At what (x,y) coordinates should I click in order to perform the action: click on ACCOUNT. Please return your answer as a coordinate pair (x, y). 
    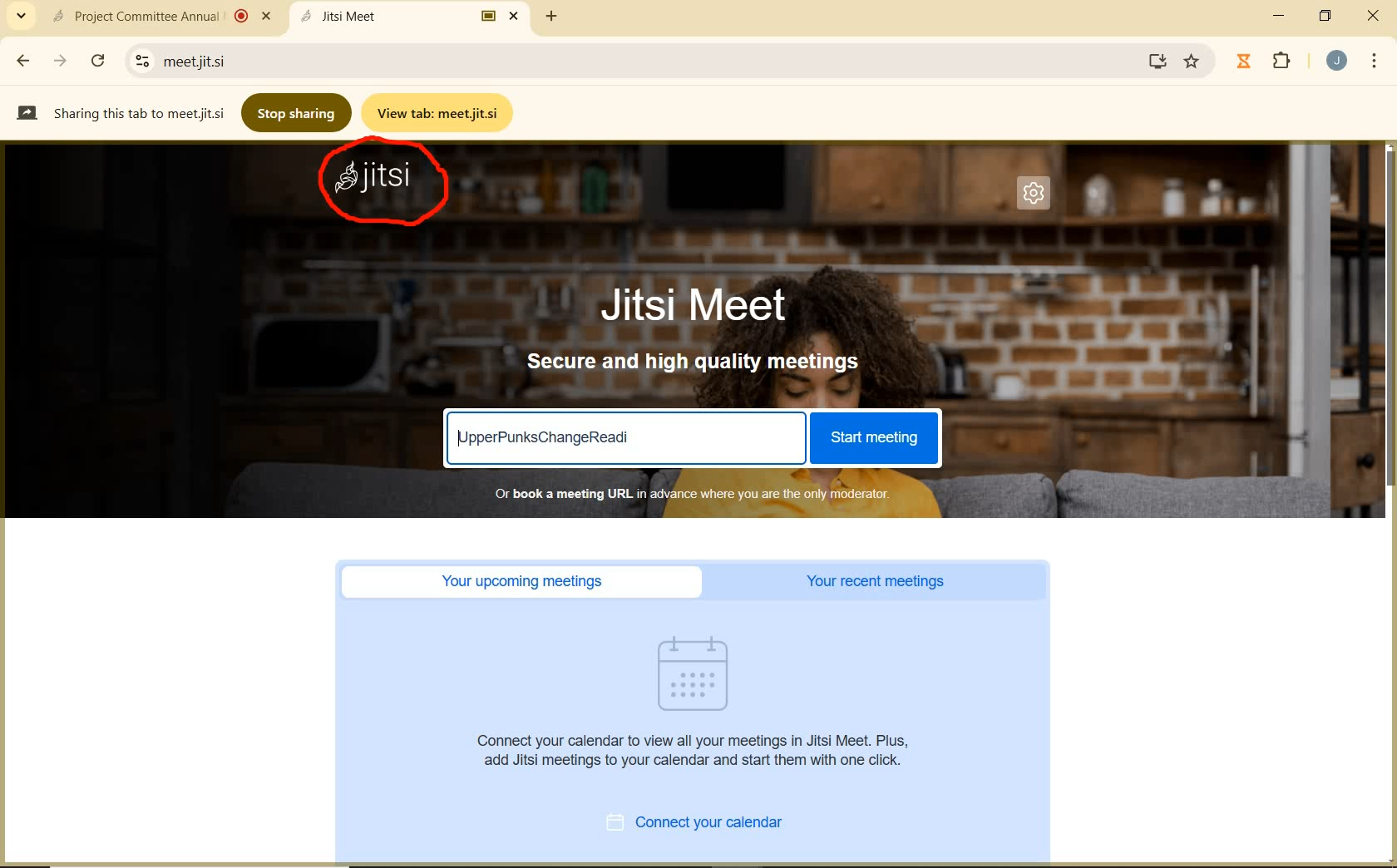
    Looking at the image, I should click on (1337, 61).